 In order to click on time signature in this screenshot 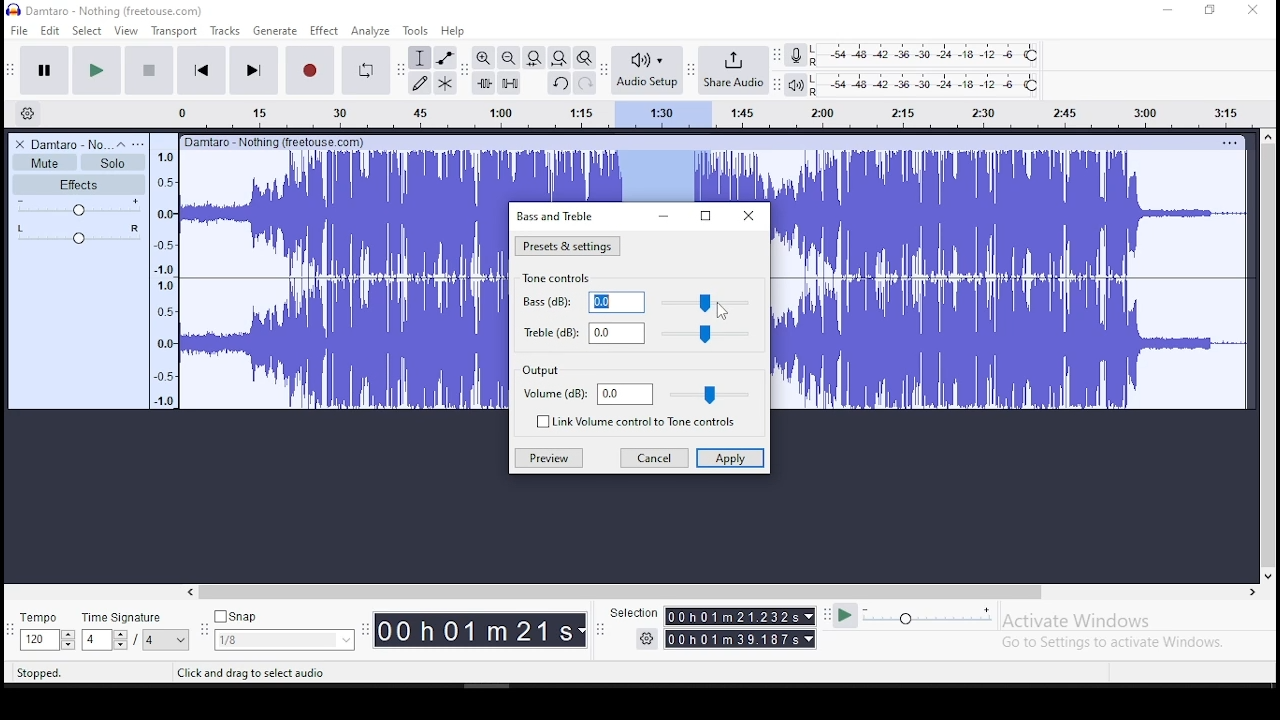, I will do `click(135, 617)`.